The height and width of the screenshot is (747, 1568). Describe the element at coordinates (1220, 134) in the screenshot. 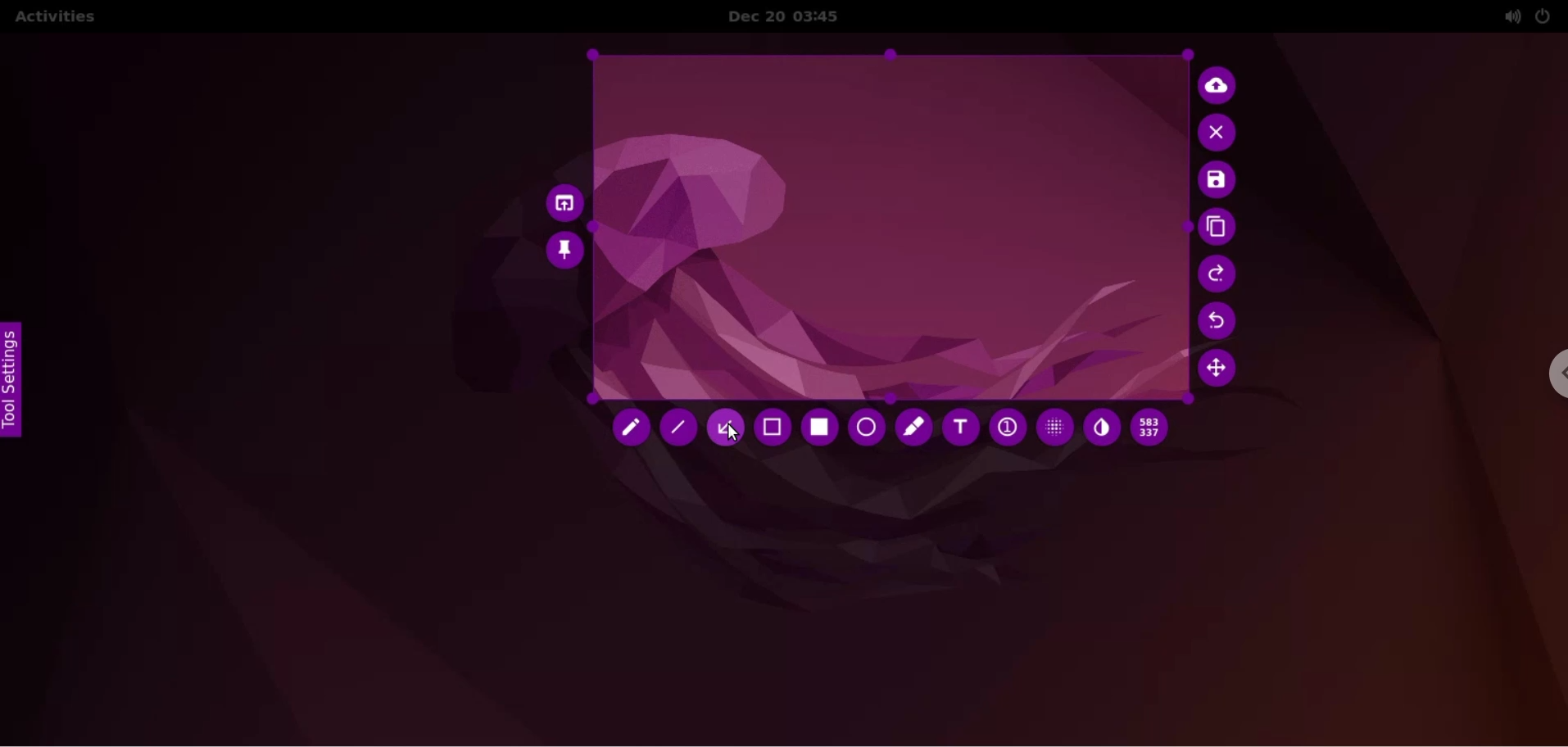

I see `cancel capture` at that location.